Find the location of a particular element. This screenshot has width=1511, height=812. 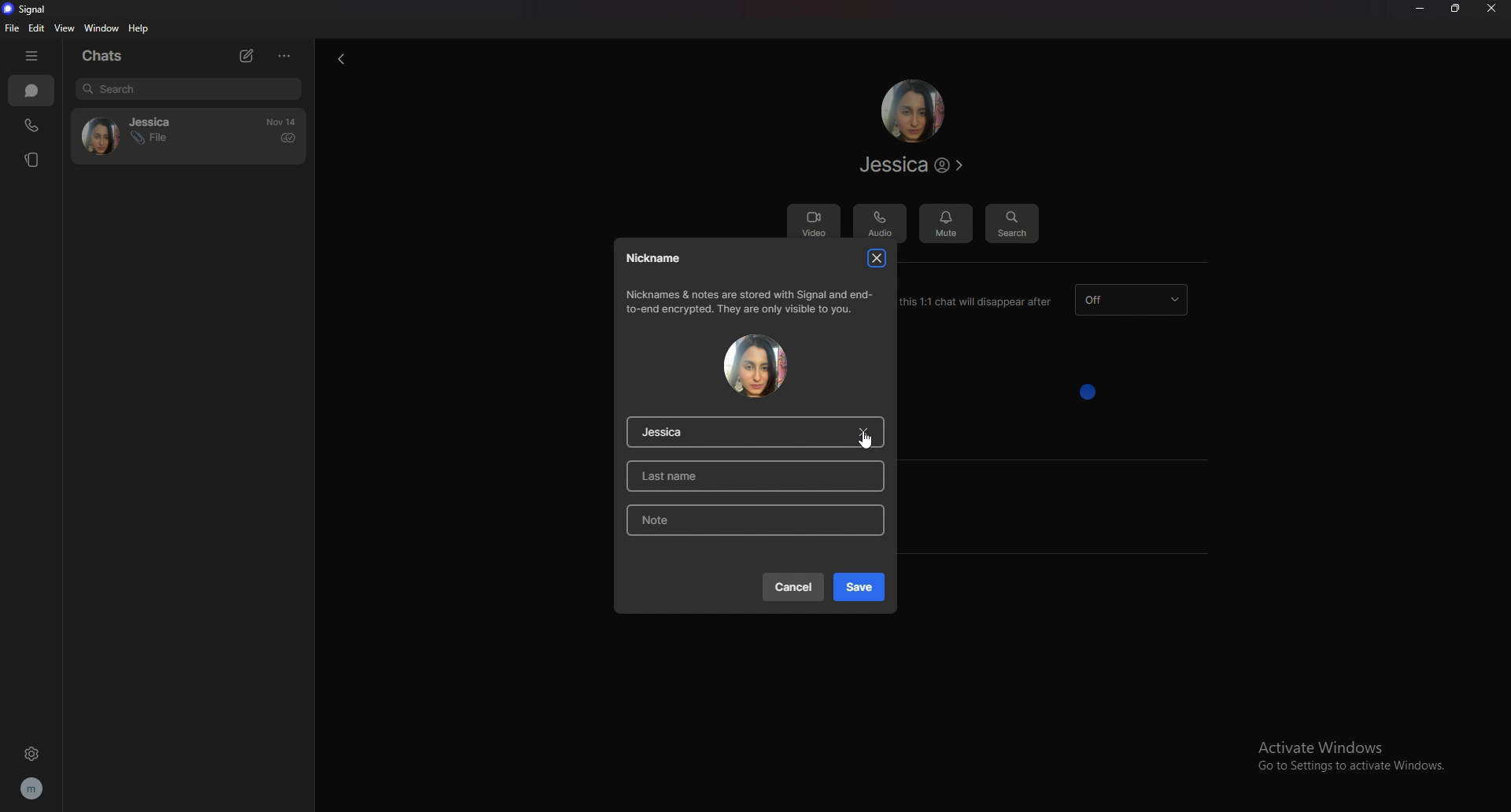

dissapearing message is located at coordinates (1134, 300).